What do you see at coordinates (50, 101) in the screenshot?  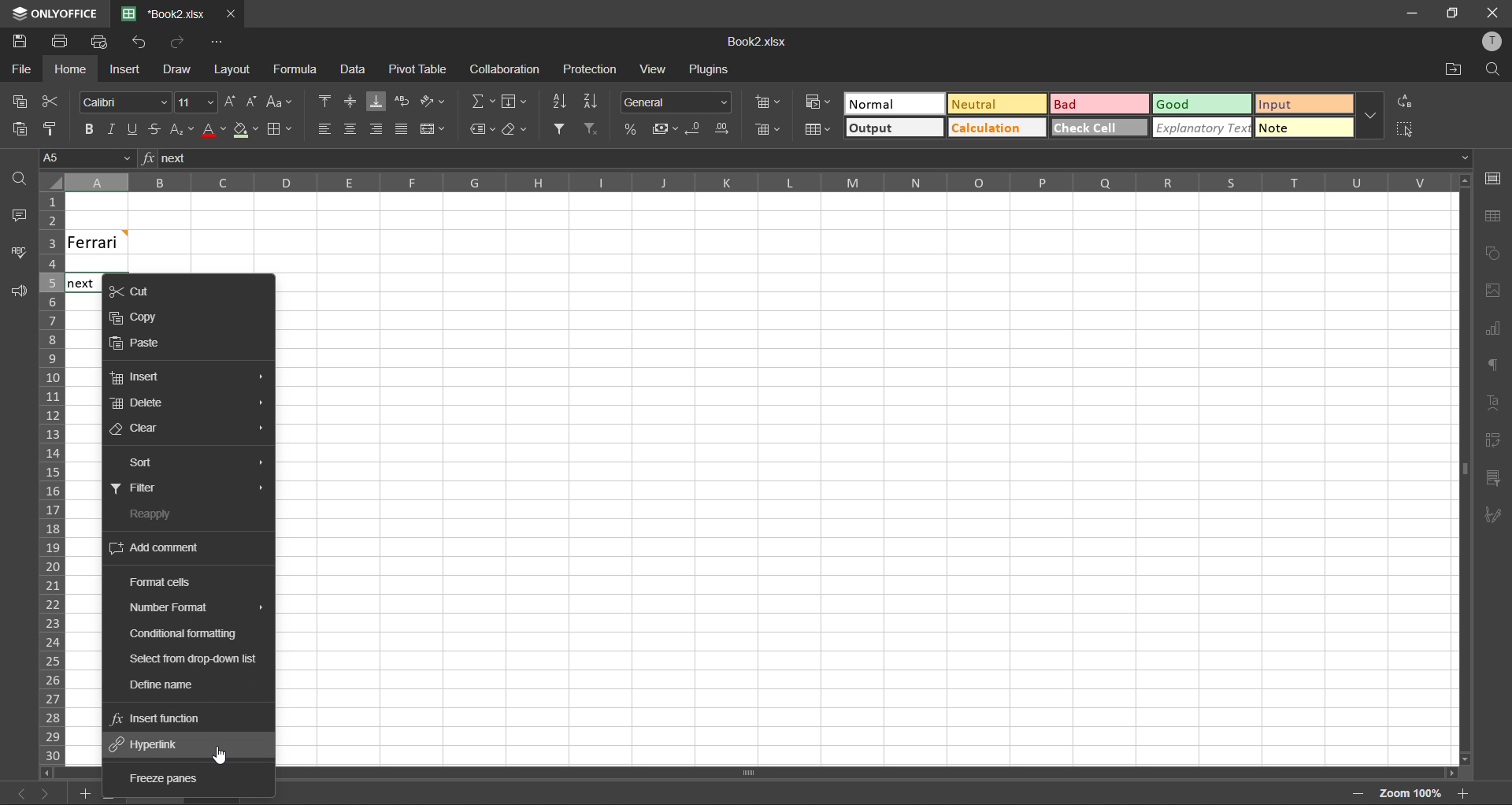 I see `cut` at bounding box center [50, 101].